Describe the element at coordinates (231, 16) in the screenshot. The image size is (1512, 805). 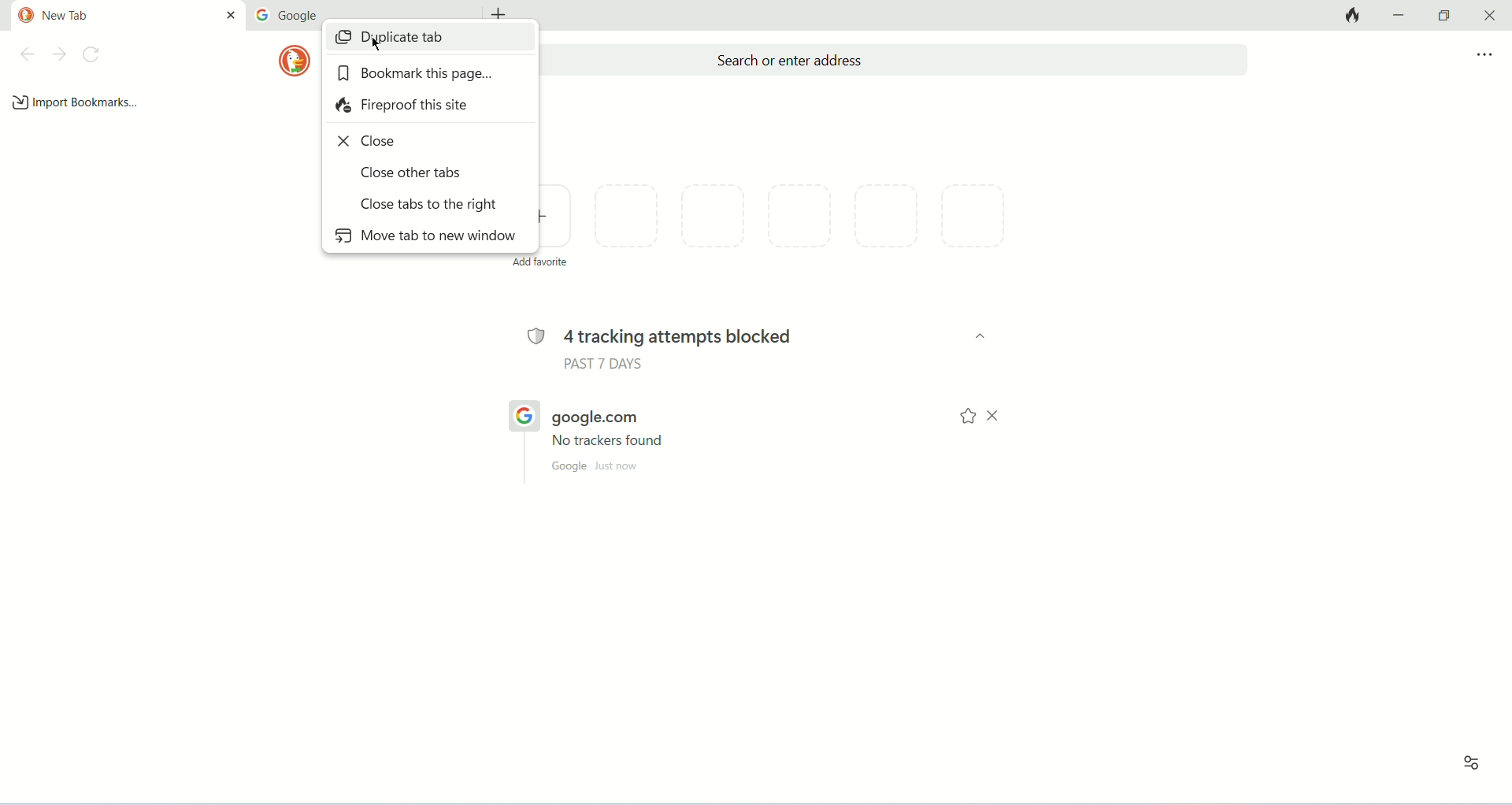
I see `close` at that location.